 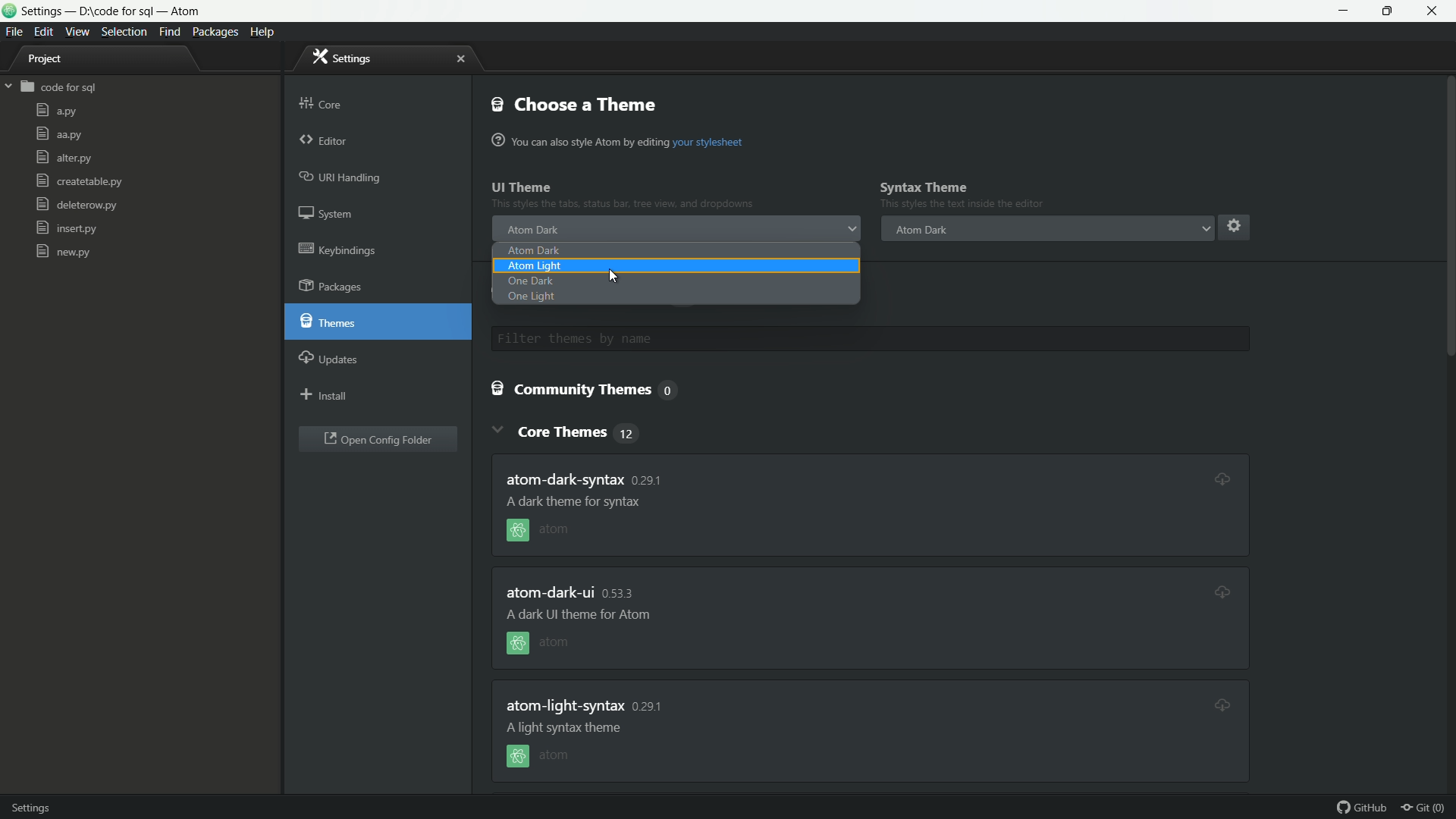 What do you see at coordinates (581, 431) in the screenshot?
I see `core themes` at bounding box center [581, 431].